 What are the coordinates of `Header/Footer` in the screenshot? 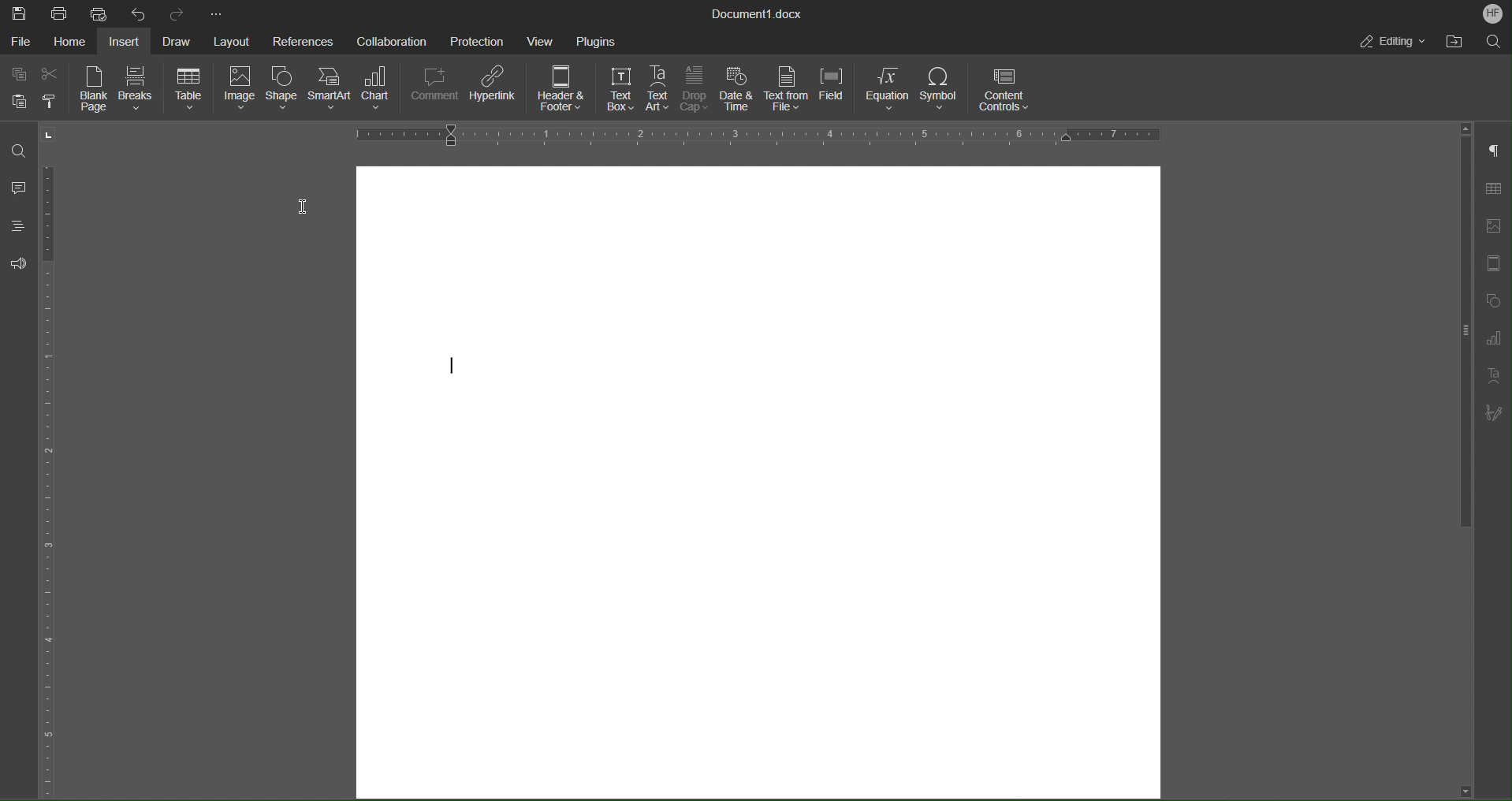 It's located at (1493, 263).